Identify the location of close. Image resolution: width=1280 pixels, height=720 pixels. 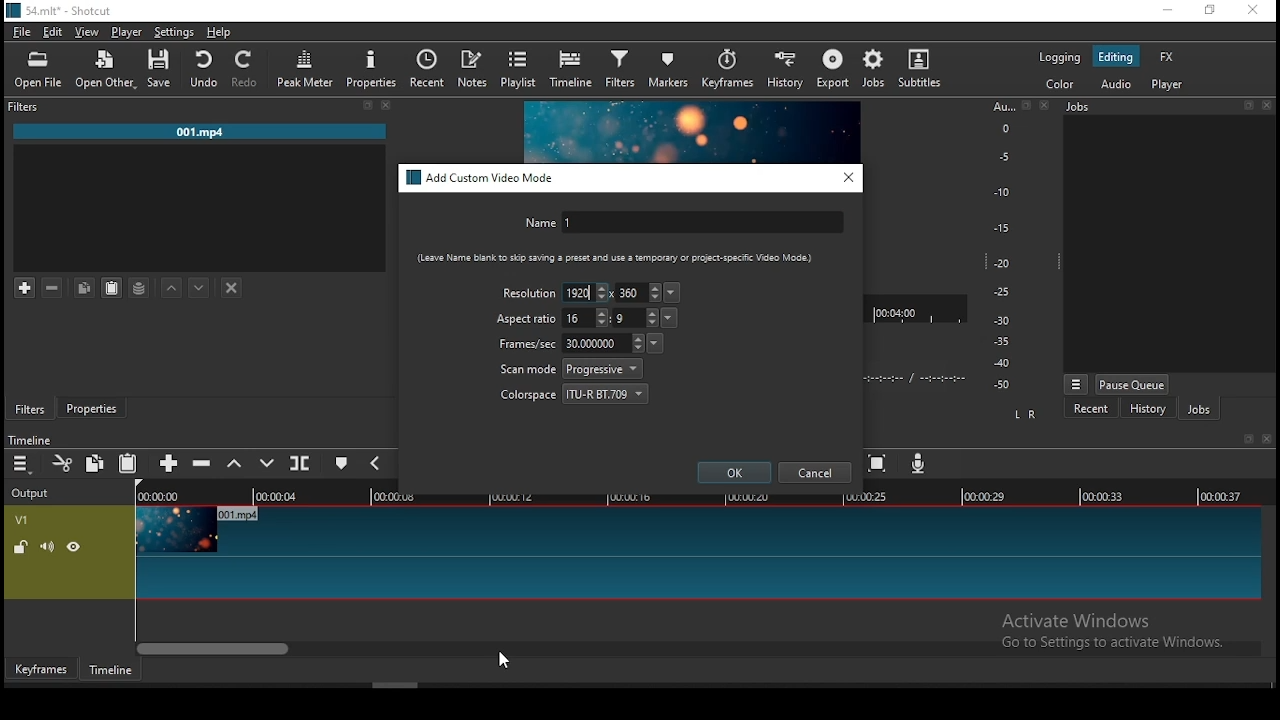
(387, 105).